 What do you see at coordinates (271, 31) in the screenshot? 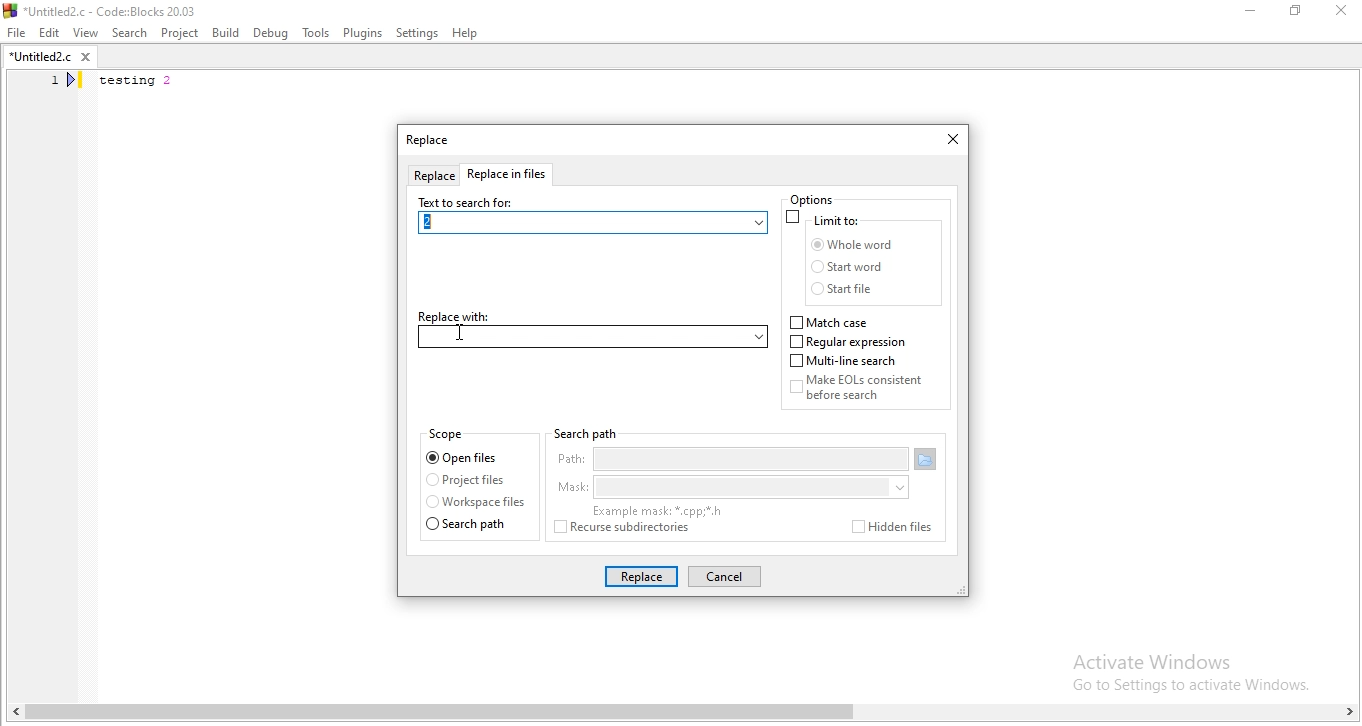
I see `Debug ` at bounding box center [271, 31].